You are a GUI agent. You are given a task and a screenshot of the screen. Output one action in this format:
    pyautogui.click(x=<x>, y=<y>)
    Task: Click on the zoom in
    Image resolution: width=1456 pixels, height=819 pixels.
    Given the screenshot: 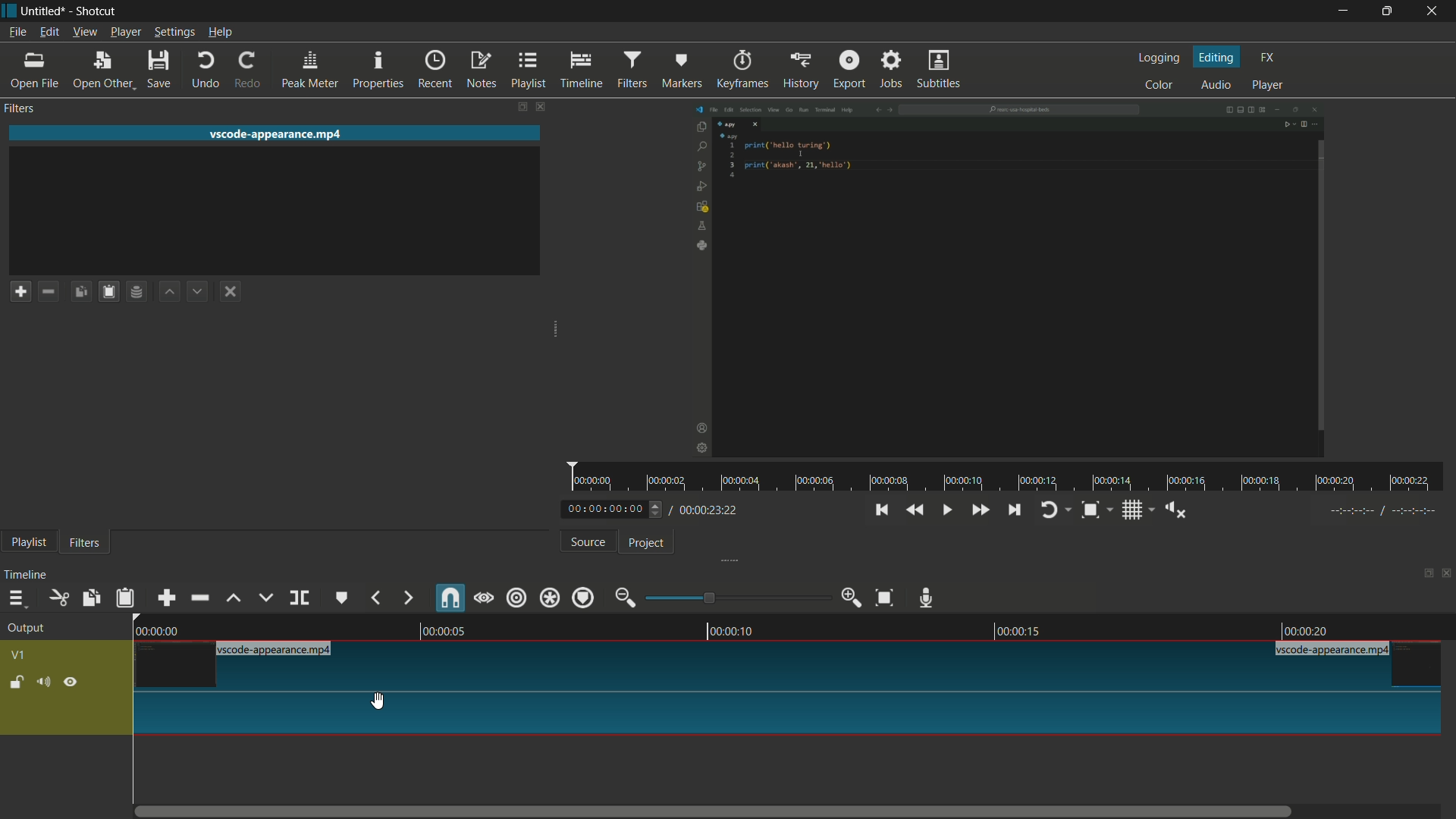 What is the action you would take?
    pyautogui.click(x=852, y=598)
    